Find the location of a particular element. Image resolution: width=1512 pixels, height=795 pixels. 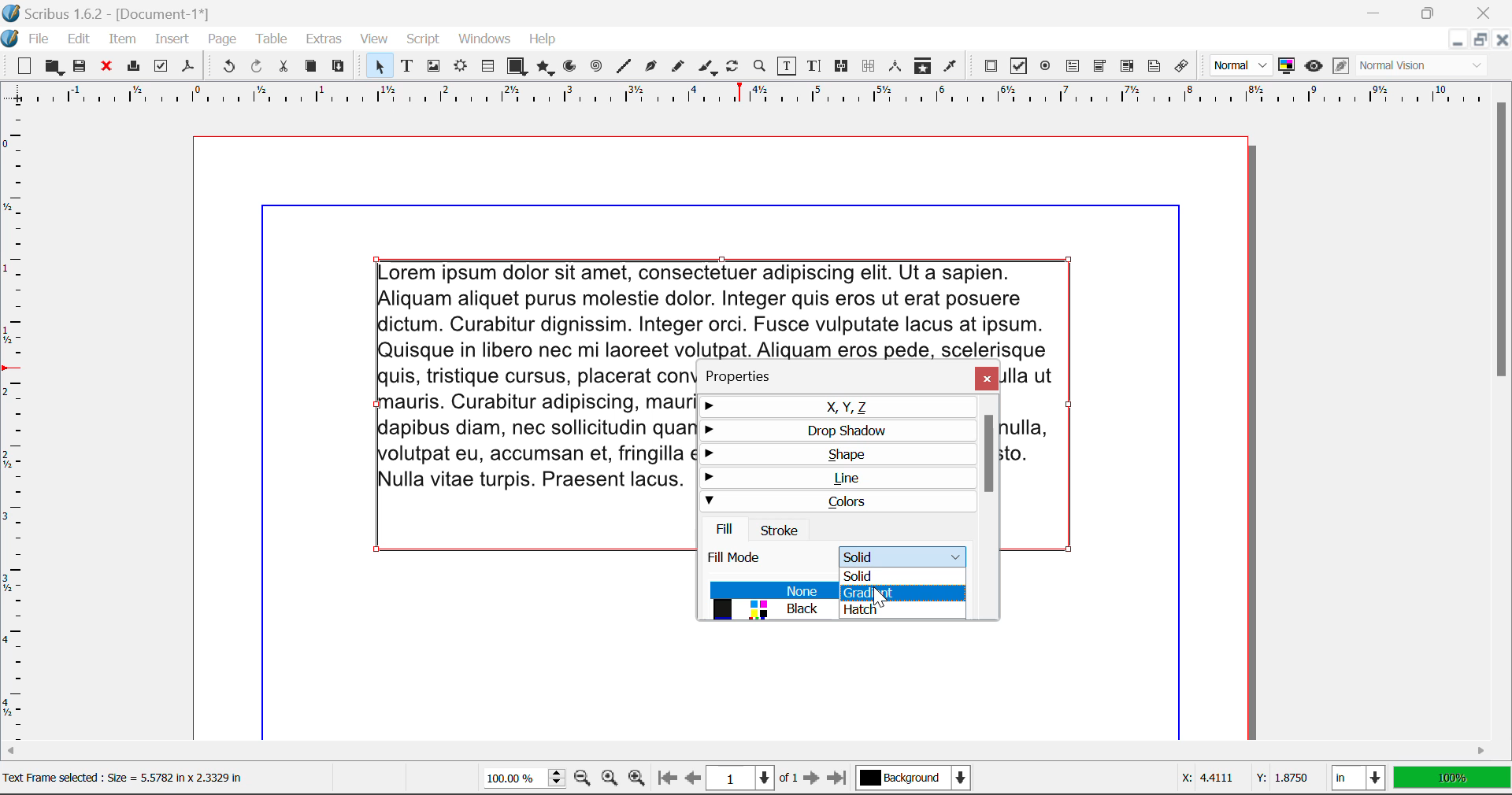

Last Page is located at coordinates (840, 781).